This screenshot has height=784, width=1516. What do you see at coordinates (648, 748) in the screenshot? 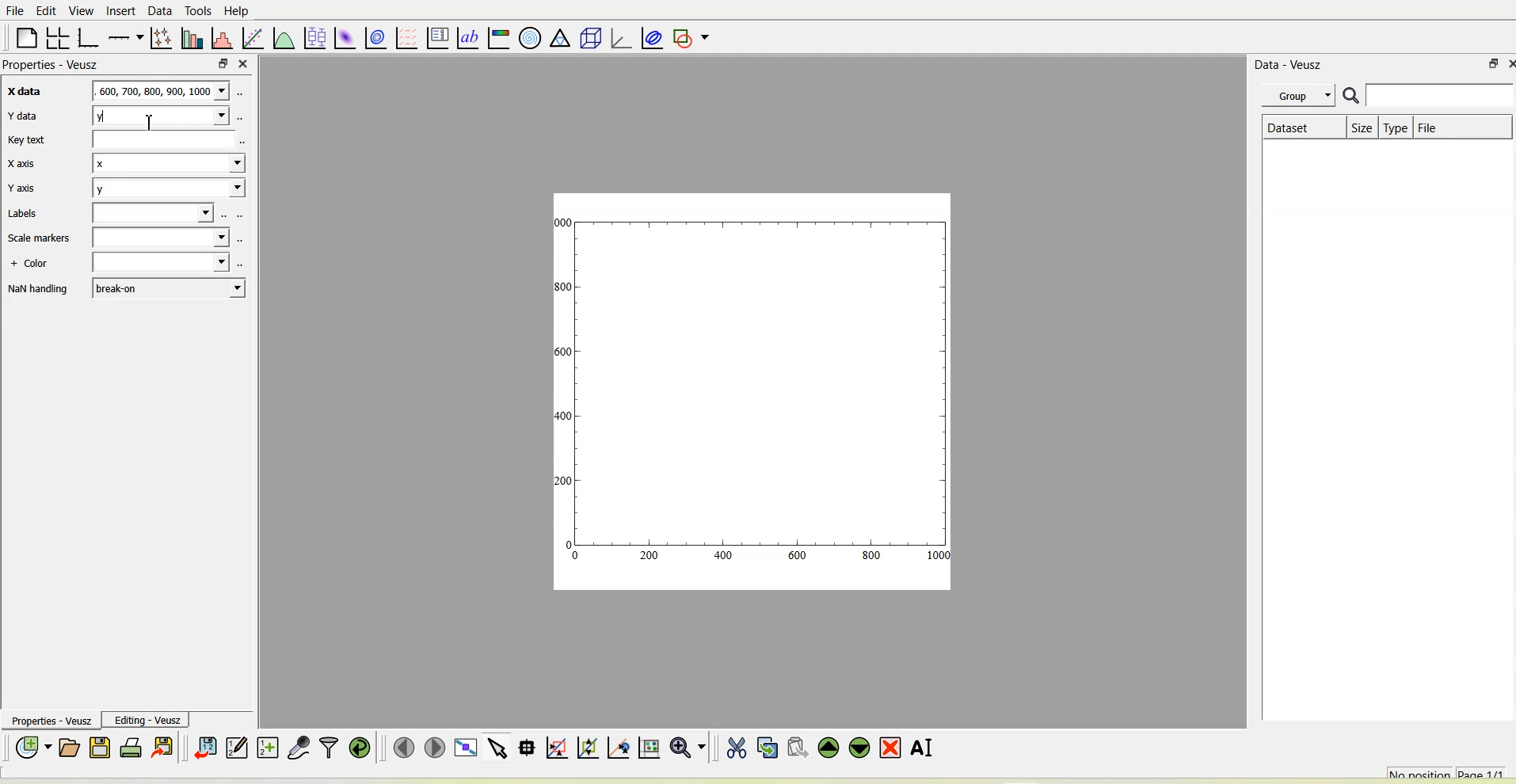
I see `Click to reset graph axes` at bounding box center [648, 748].